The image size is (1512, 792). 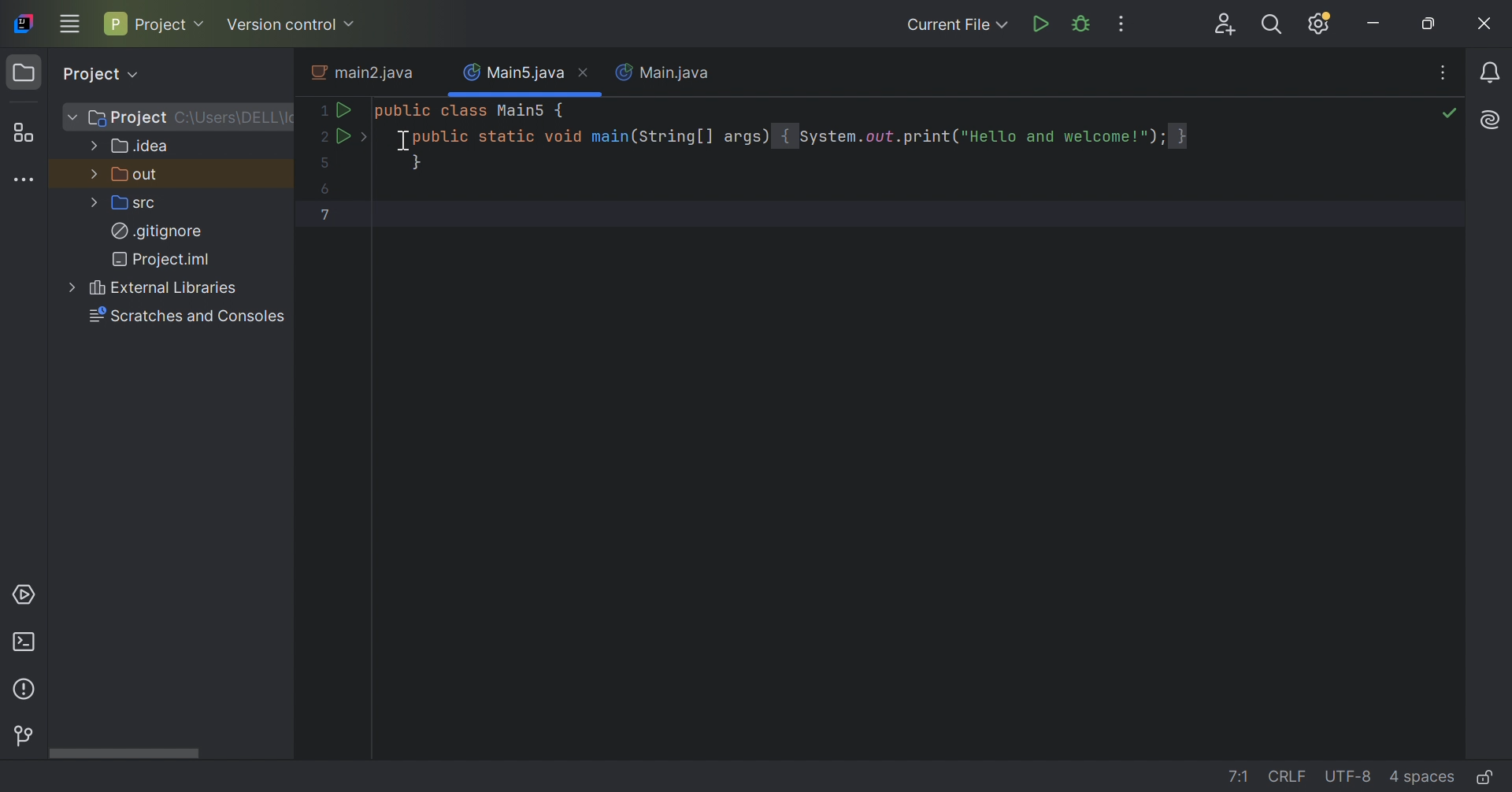 I want to click on Project.iml, so click(x=166, y=260).